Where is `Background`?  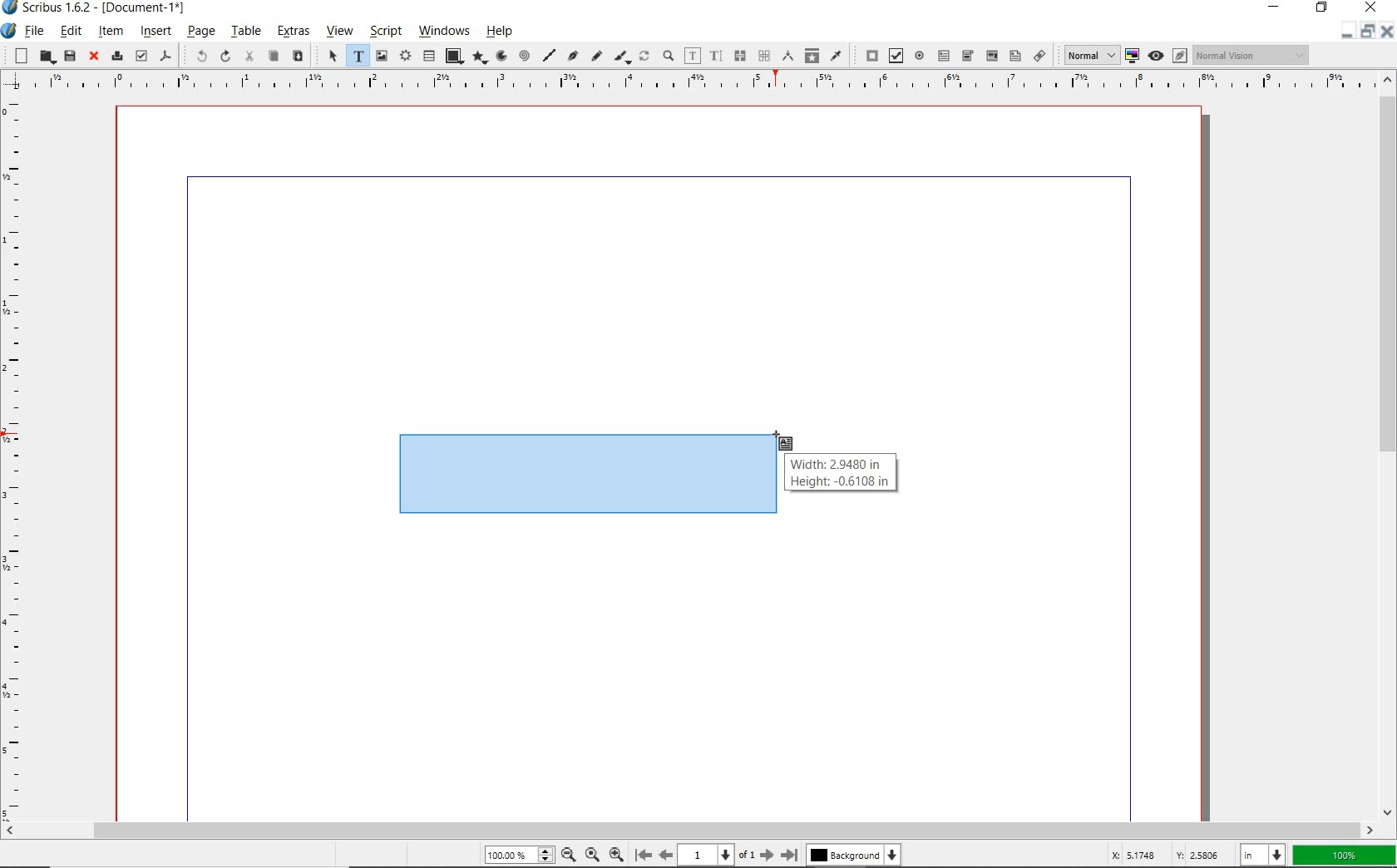 Background is located at coordinates (855, 856).